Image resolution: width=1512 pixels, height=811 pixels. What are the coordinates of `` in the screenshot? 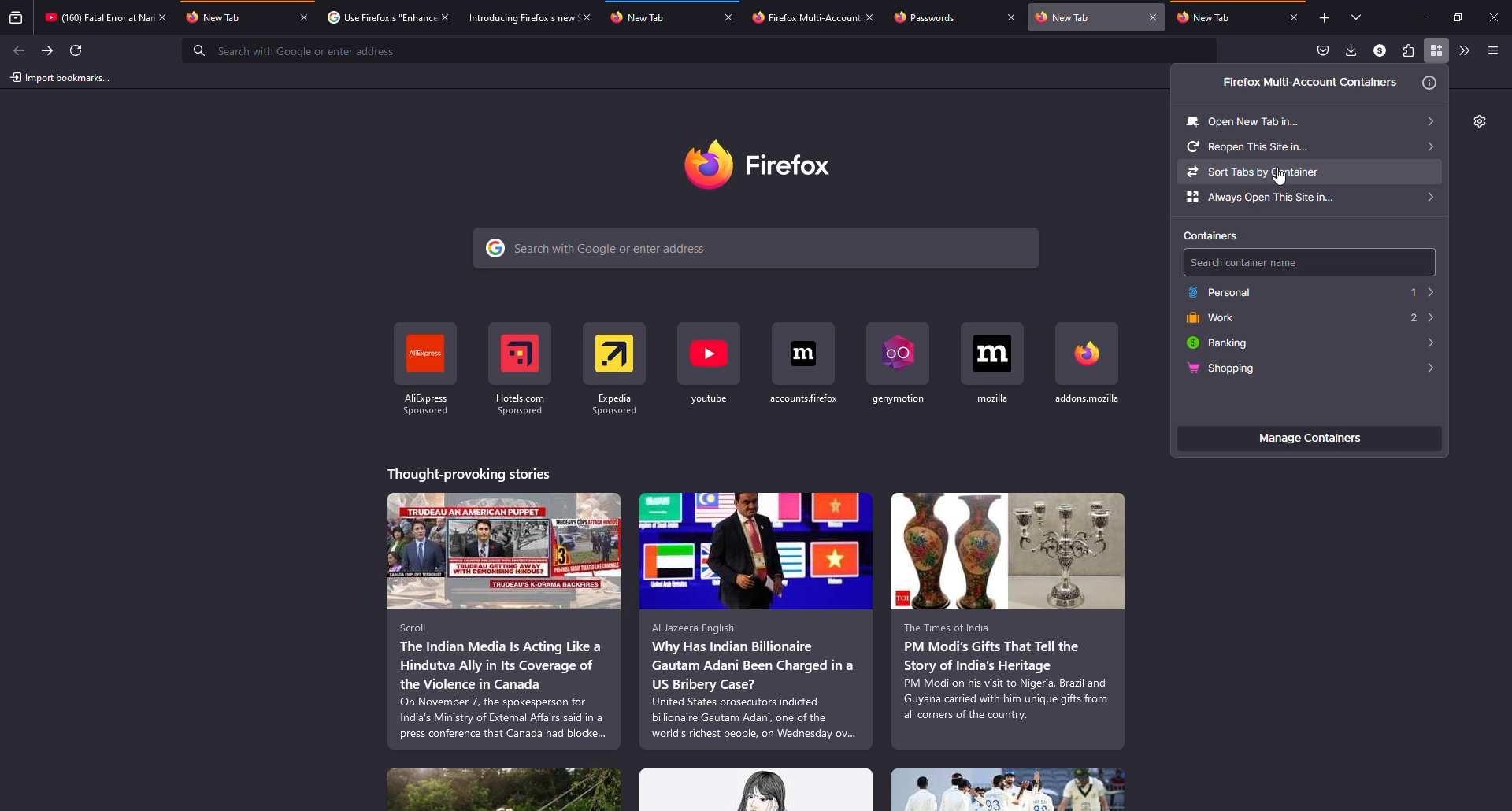 It's located at (1010, 619).